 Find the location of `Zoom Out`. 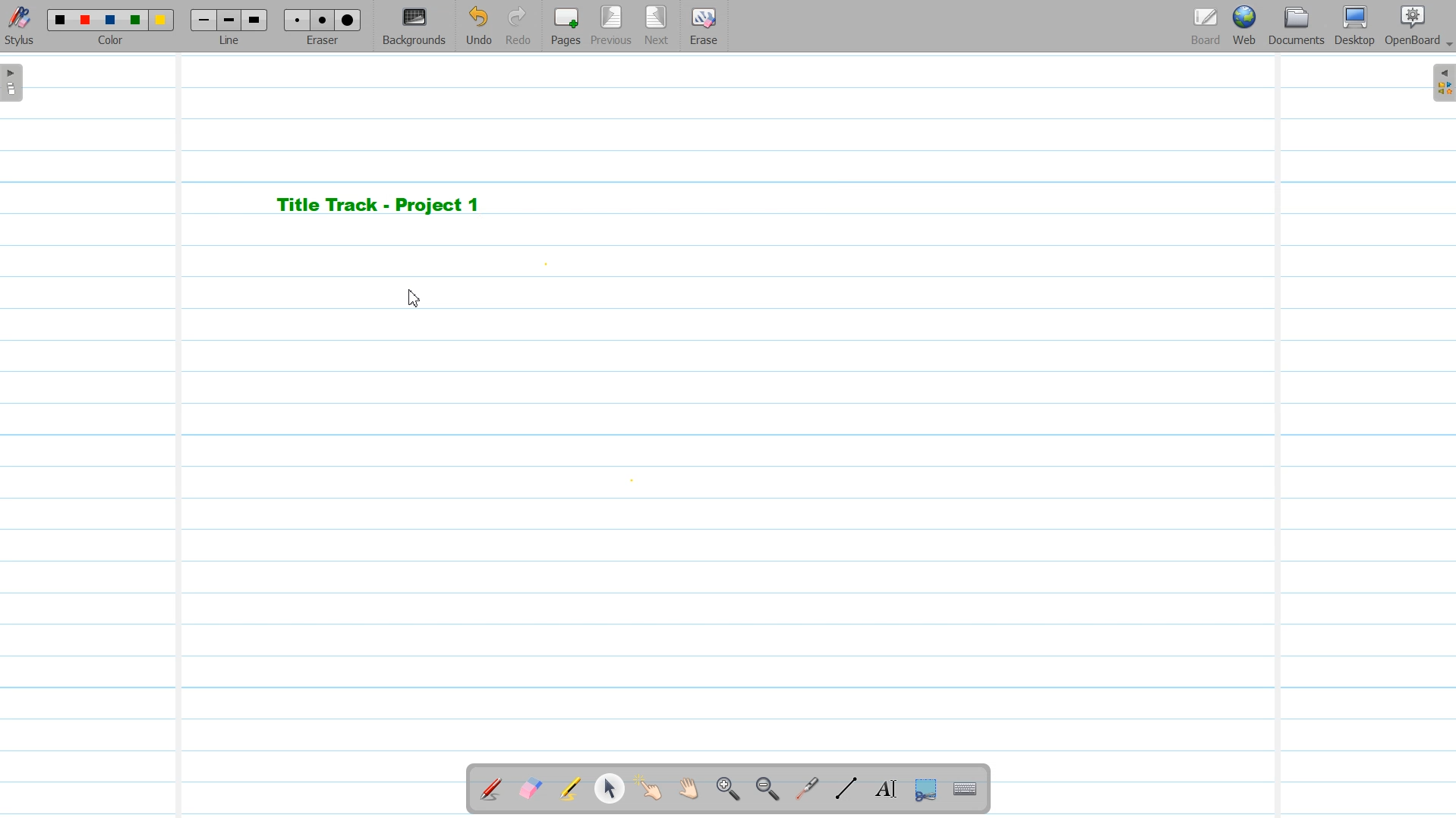

Zoom Out is located at coordinates (764, 790).